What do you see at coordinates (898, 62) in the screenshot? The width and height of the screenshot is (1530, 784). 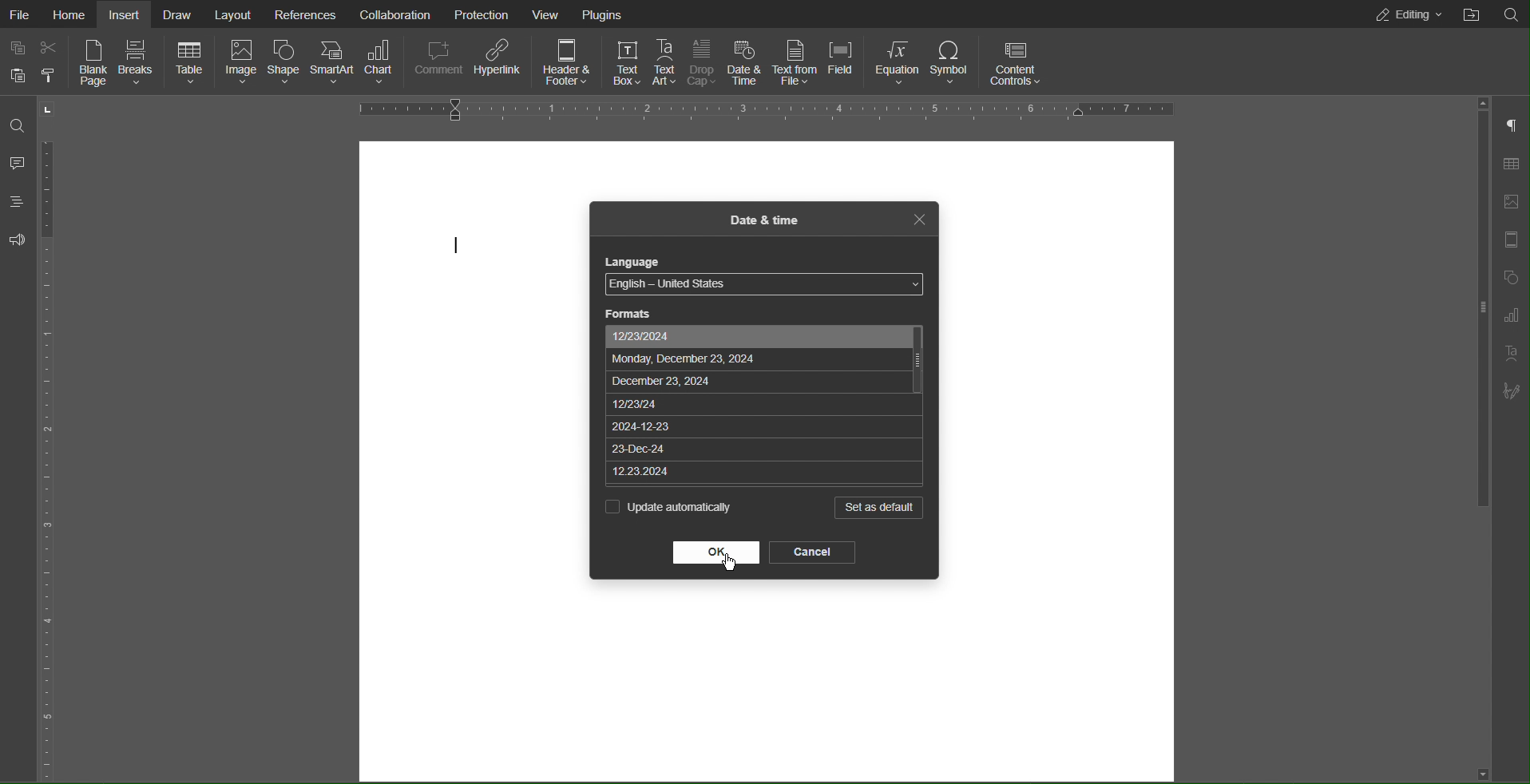 I see `Equation` at bounding box center [898, 62].